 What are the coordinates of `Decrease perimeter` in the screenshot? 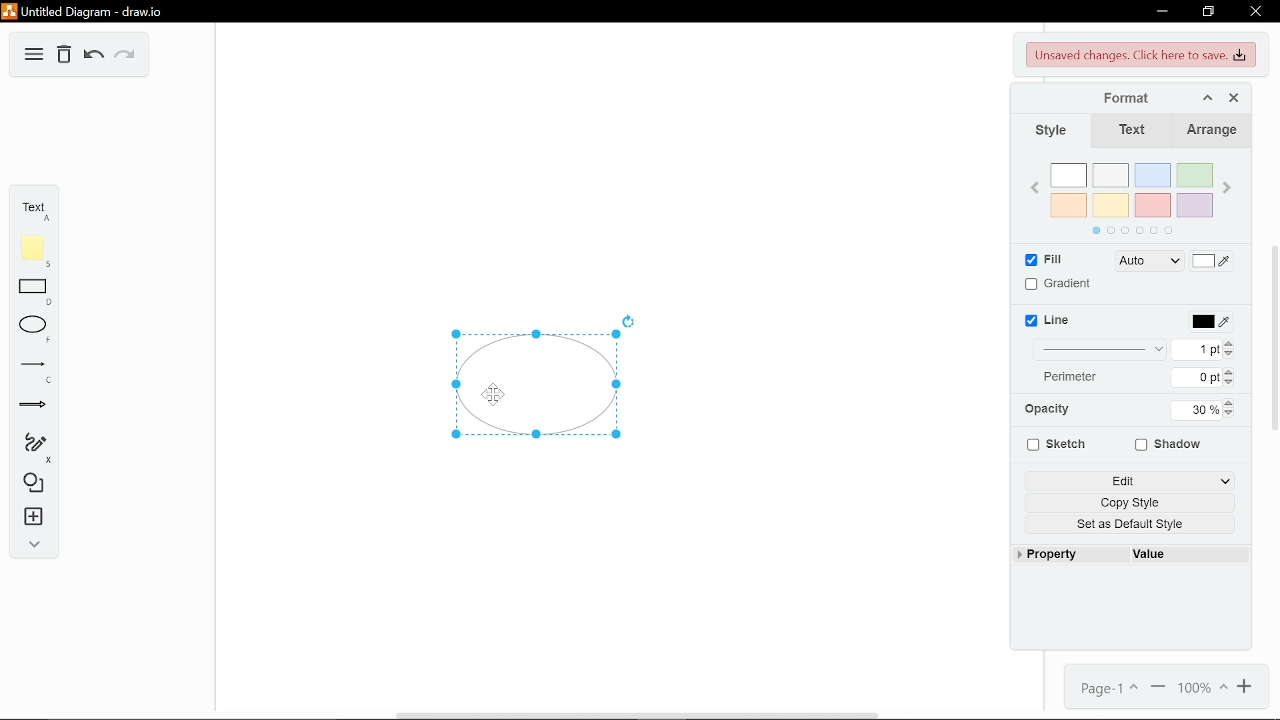 It's located at (1231, 383).